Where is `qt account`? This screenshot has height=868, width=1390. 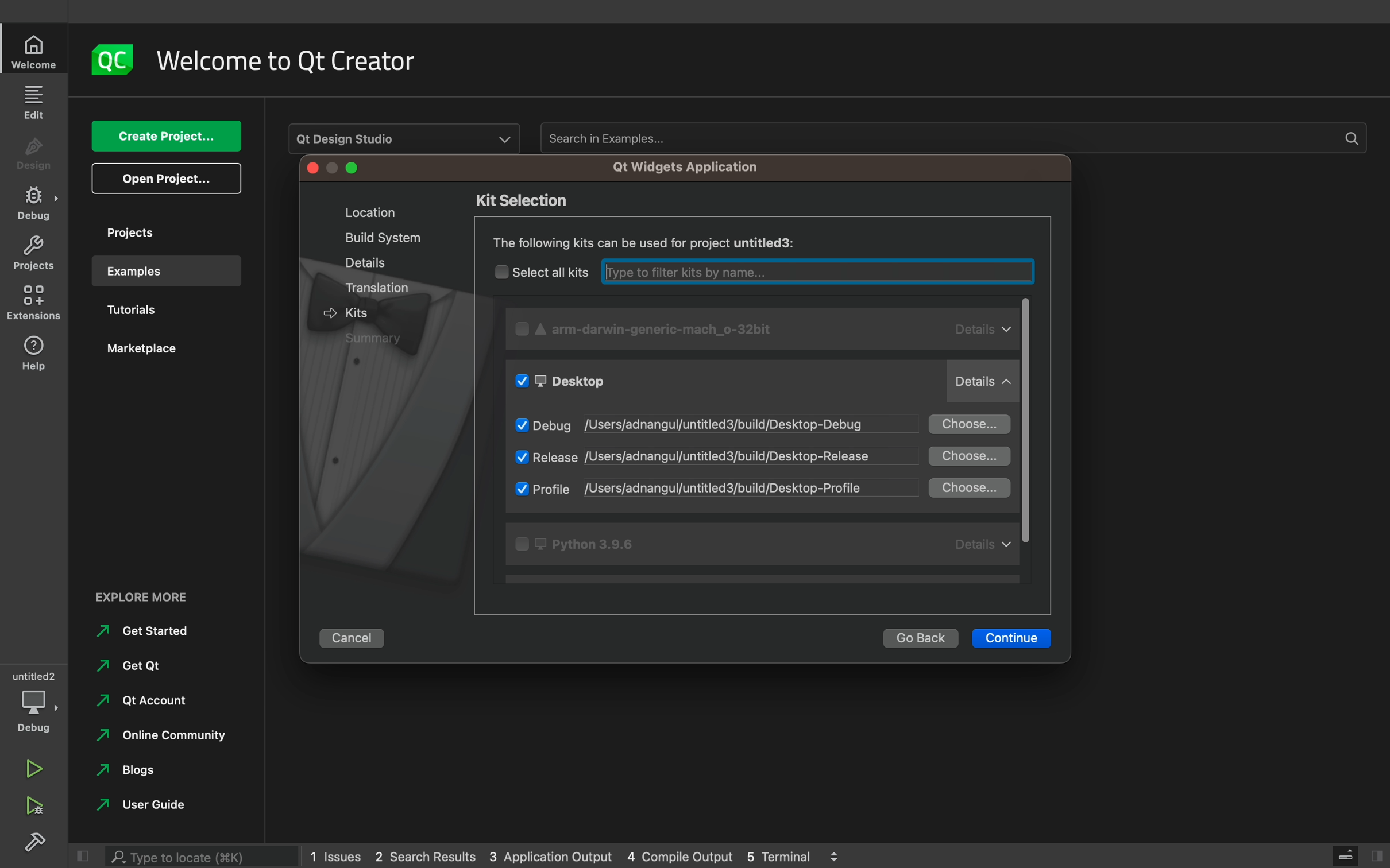 qt account is located at coordinates (138, 705).